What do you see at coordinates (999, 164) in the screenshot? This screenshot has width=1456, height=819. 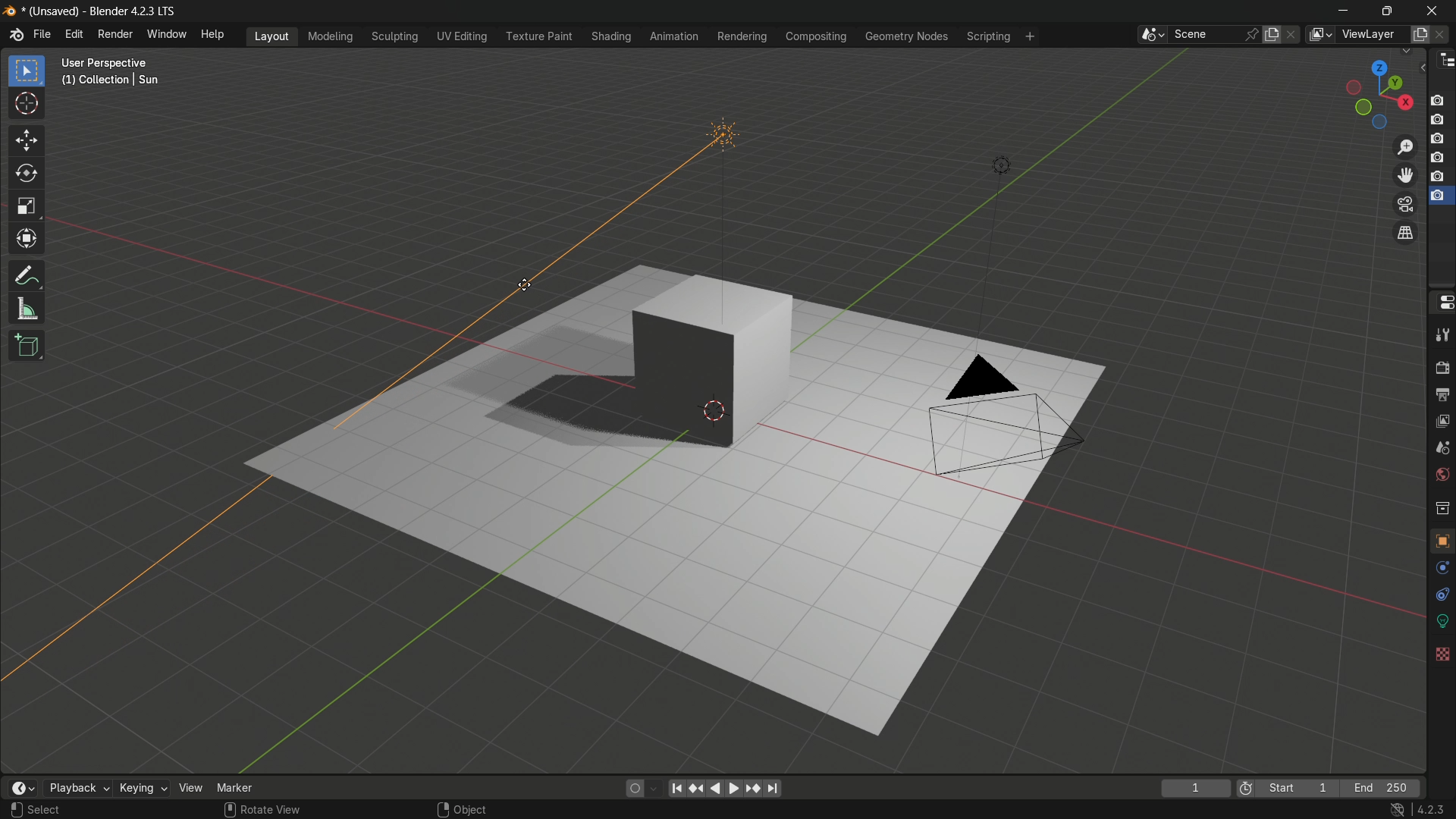 I see `light` at bounding box center [999, 164].